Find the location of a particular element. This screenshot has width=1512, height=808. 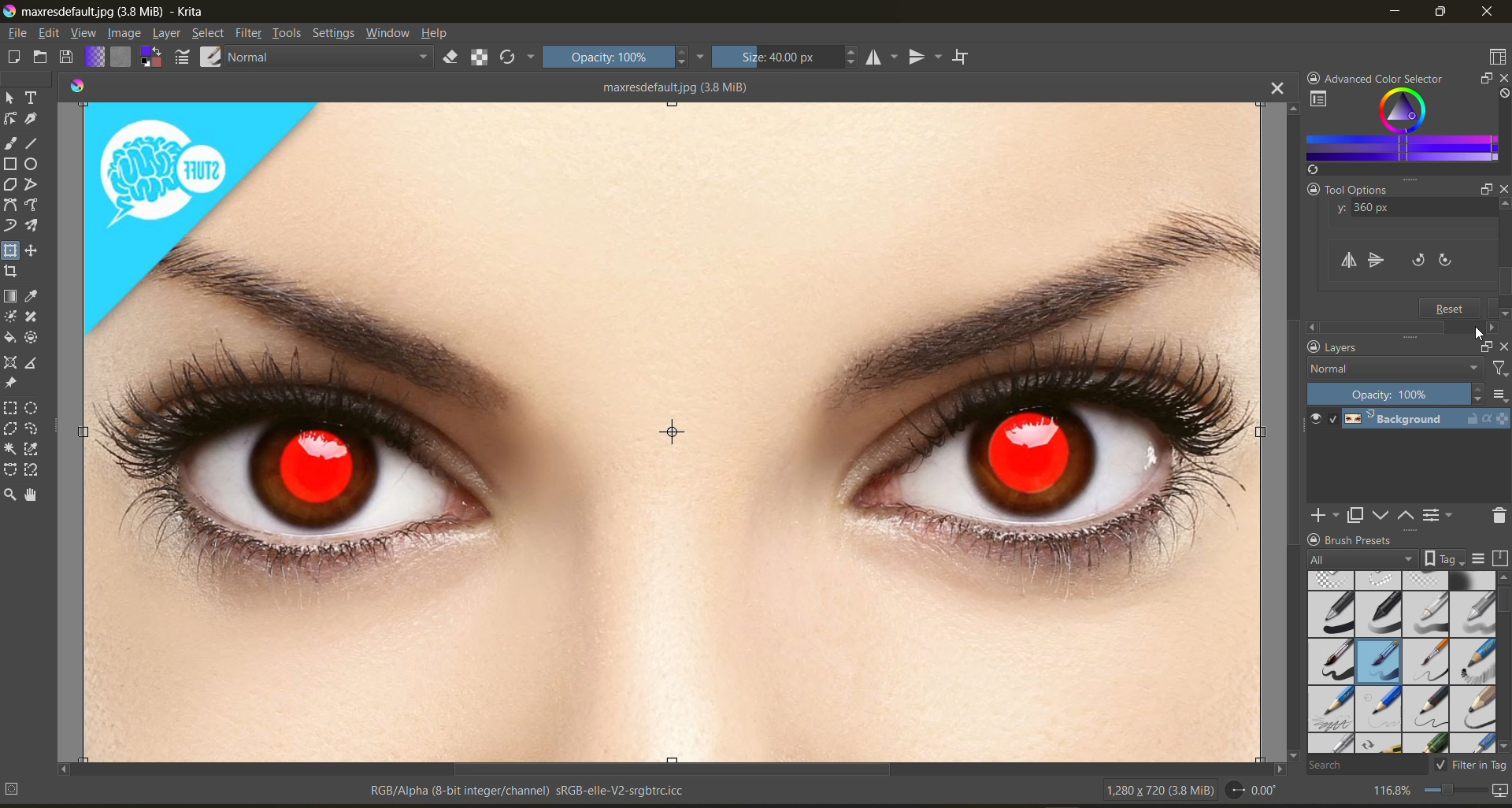

tool is located at coordinates (31, 185).